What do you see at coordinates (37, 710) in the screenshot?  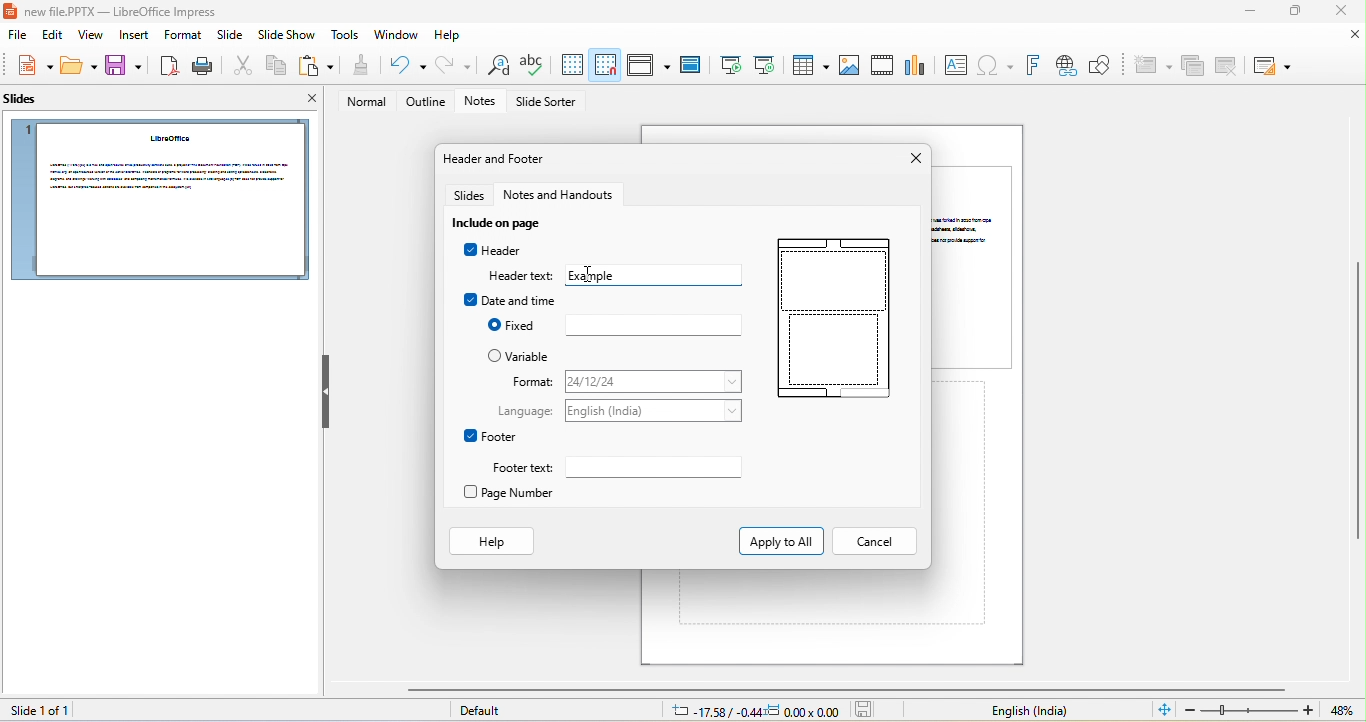 I see `slide 1 of 1` at bounding box center [37, 710].